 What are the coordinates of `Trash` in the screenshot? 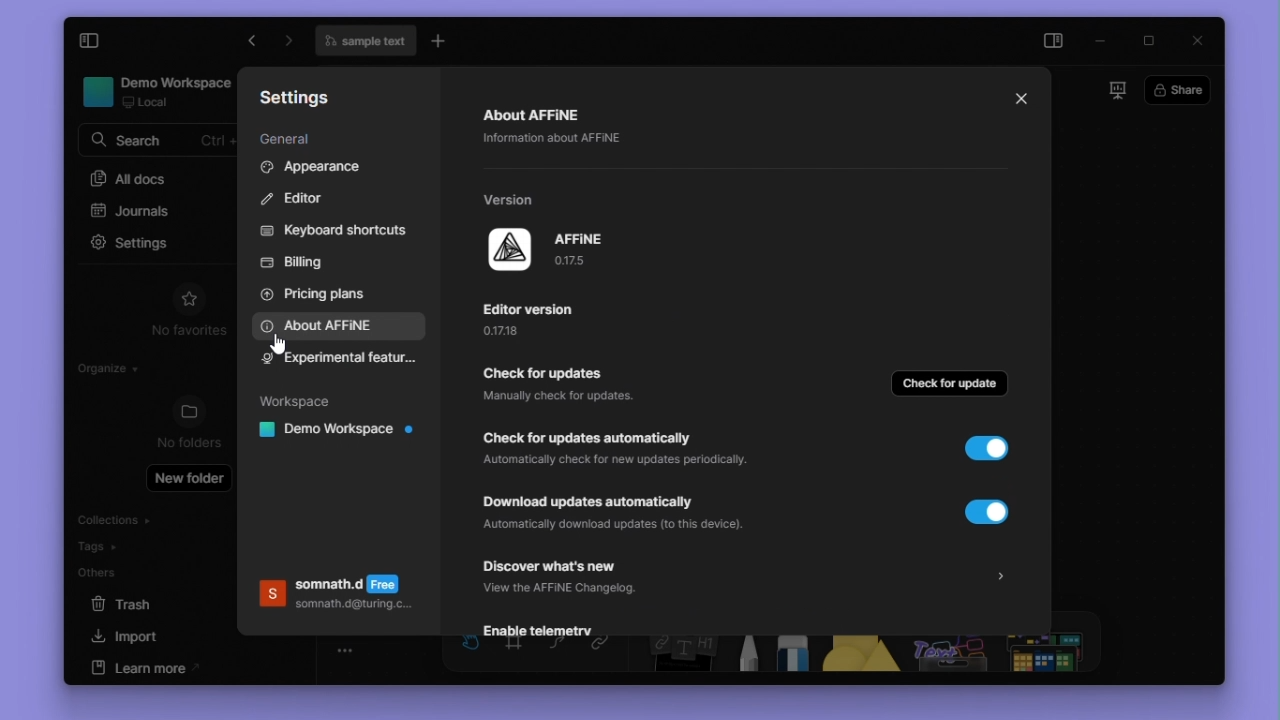 It's located at (123, 602).